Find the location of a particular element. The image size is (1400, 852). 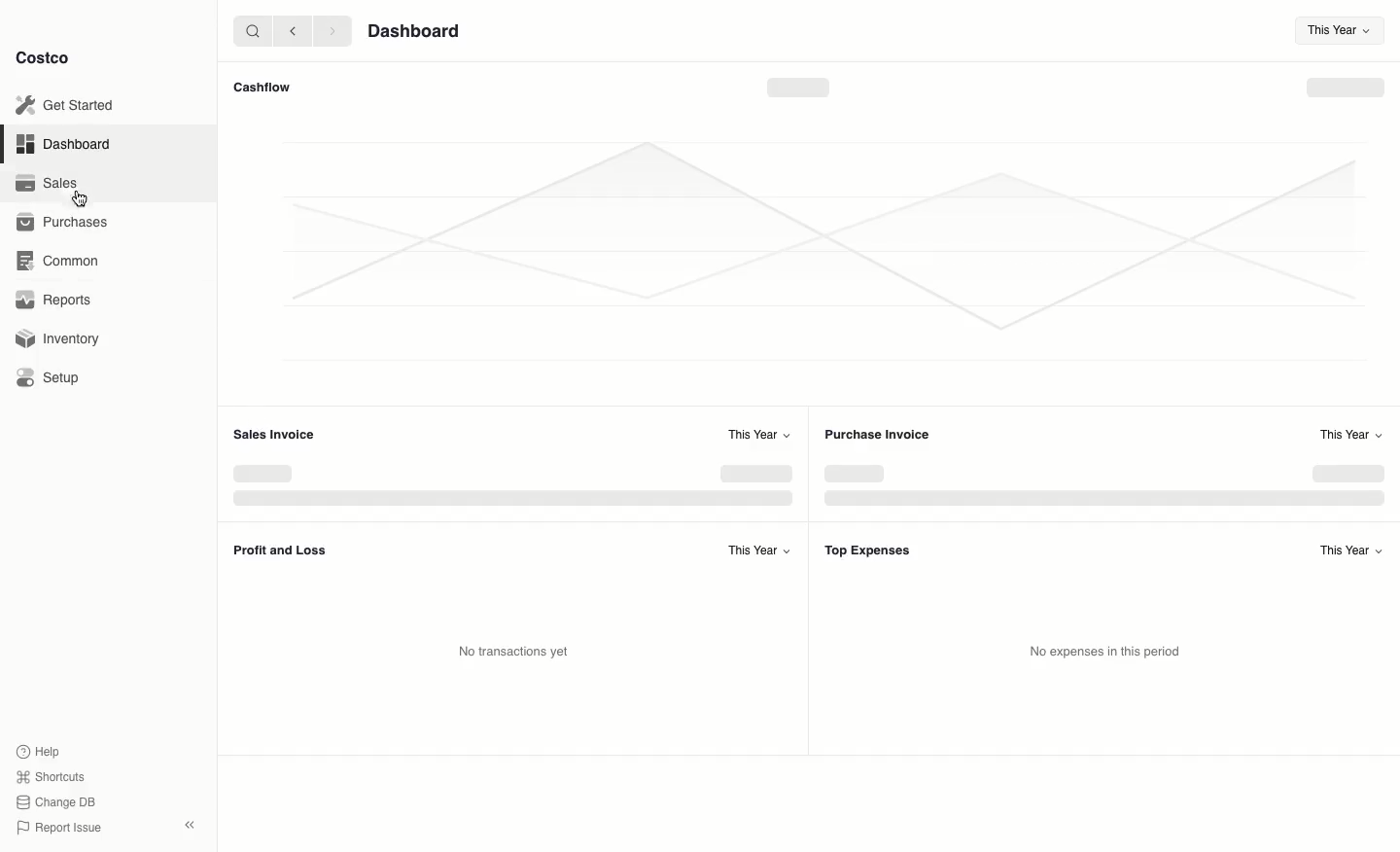

Search is located at coordinates (250, 30).